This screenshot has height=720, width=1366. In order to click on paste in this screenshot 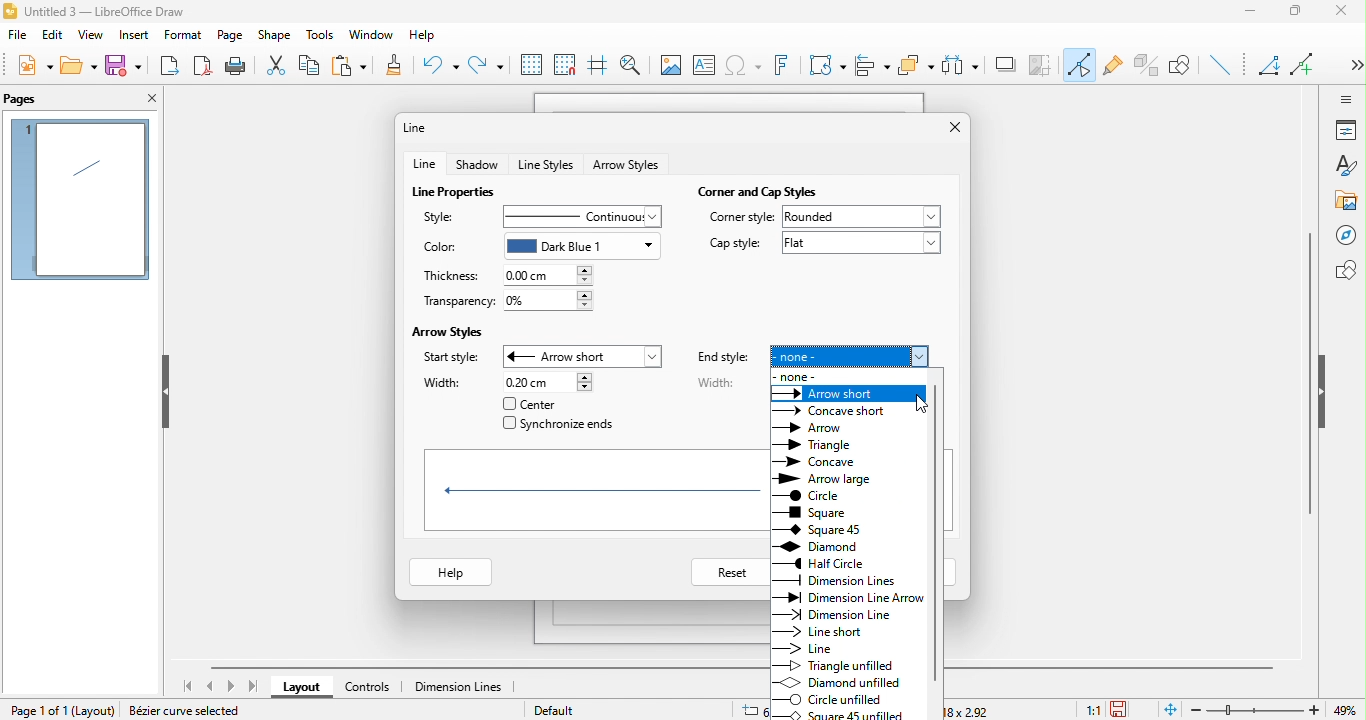, I will do `click(355, 66)`.